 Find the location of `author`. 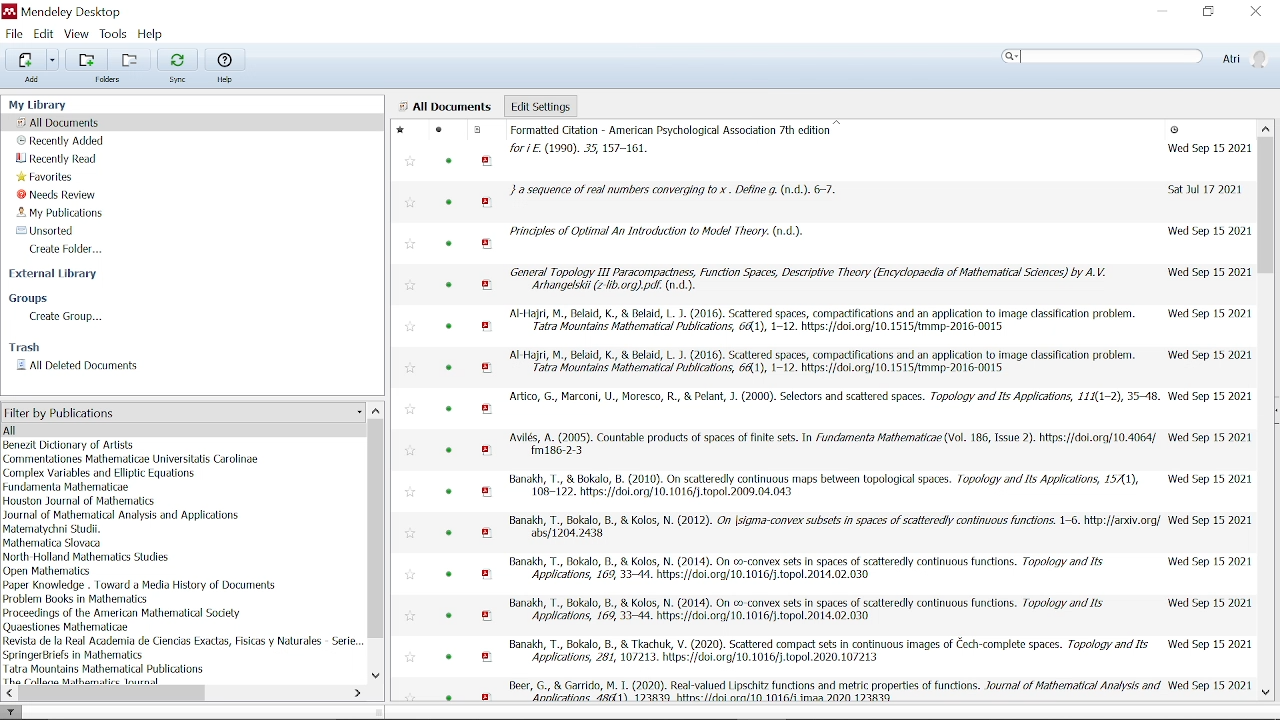

author is located at coordinates (54, 542).